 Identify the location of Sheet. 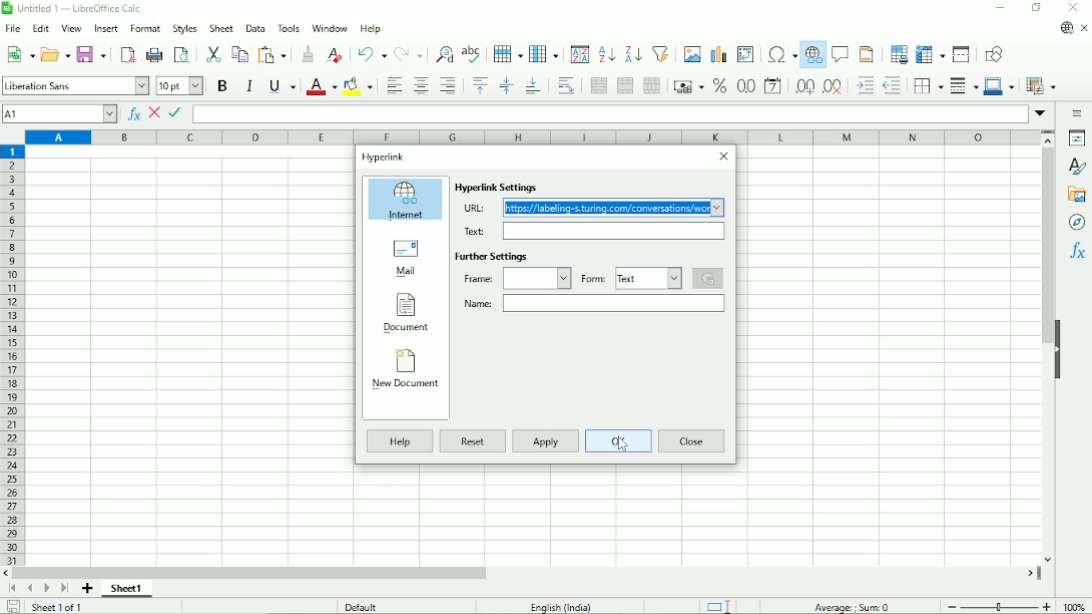
(222, 28).